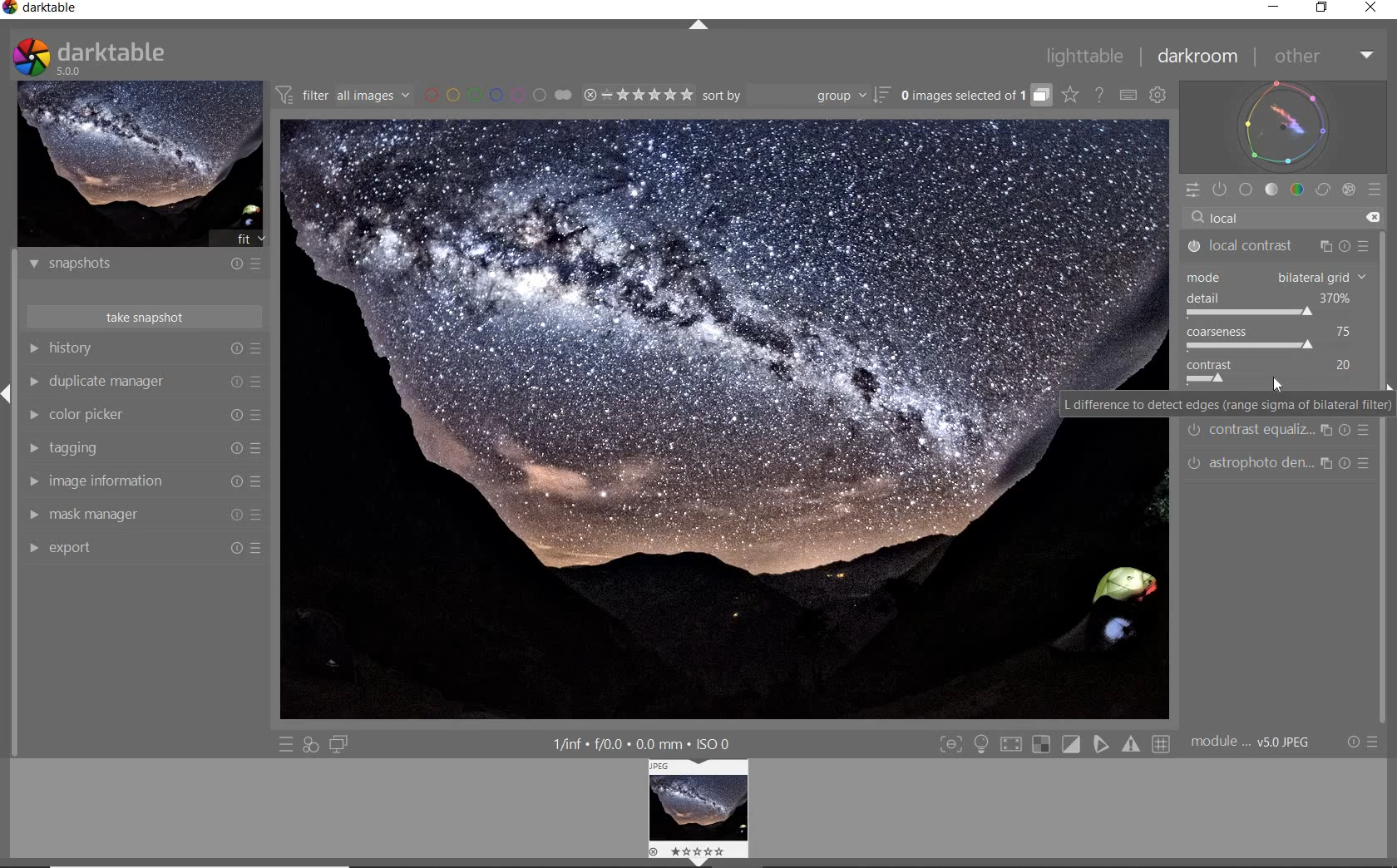  I want to click on darktable 5.0.0, so click(135, 56).